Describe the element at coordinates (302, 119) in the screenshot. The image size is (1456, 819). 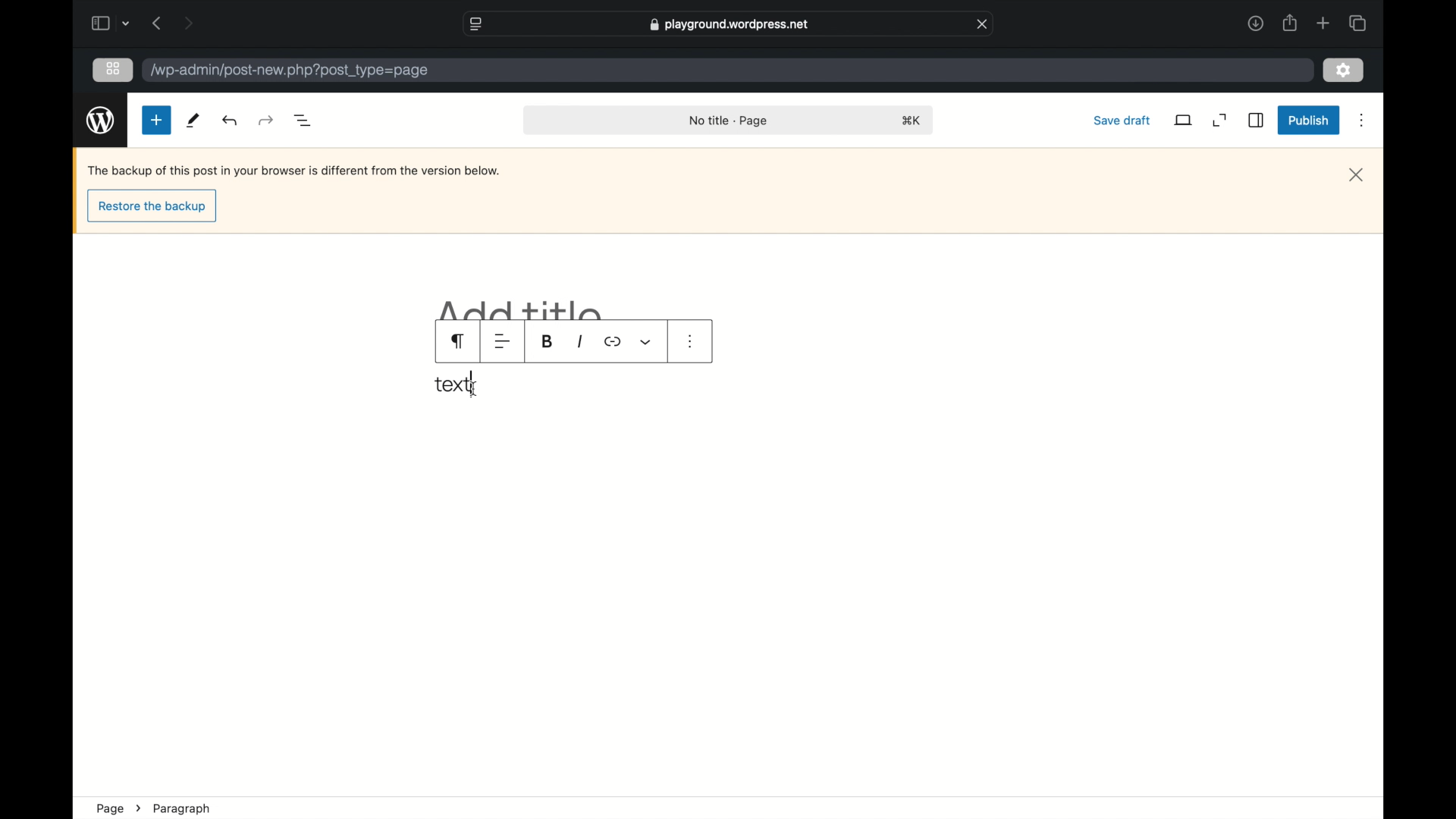
I see `document overview` at that location.